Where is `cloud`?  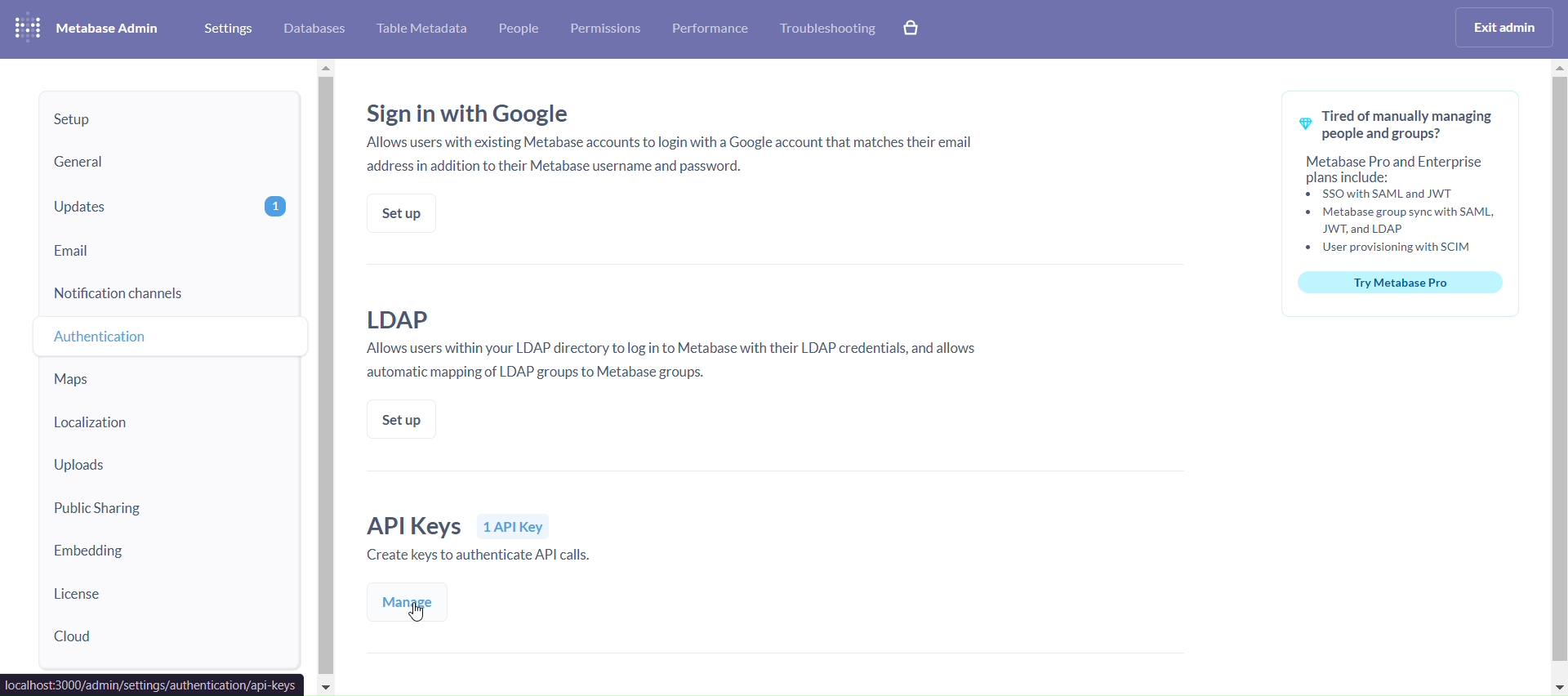 cloud is located at coordinates (171, 639).